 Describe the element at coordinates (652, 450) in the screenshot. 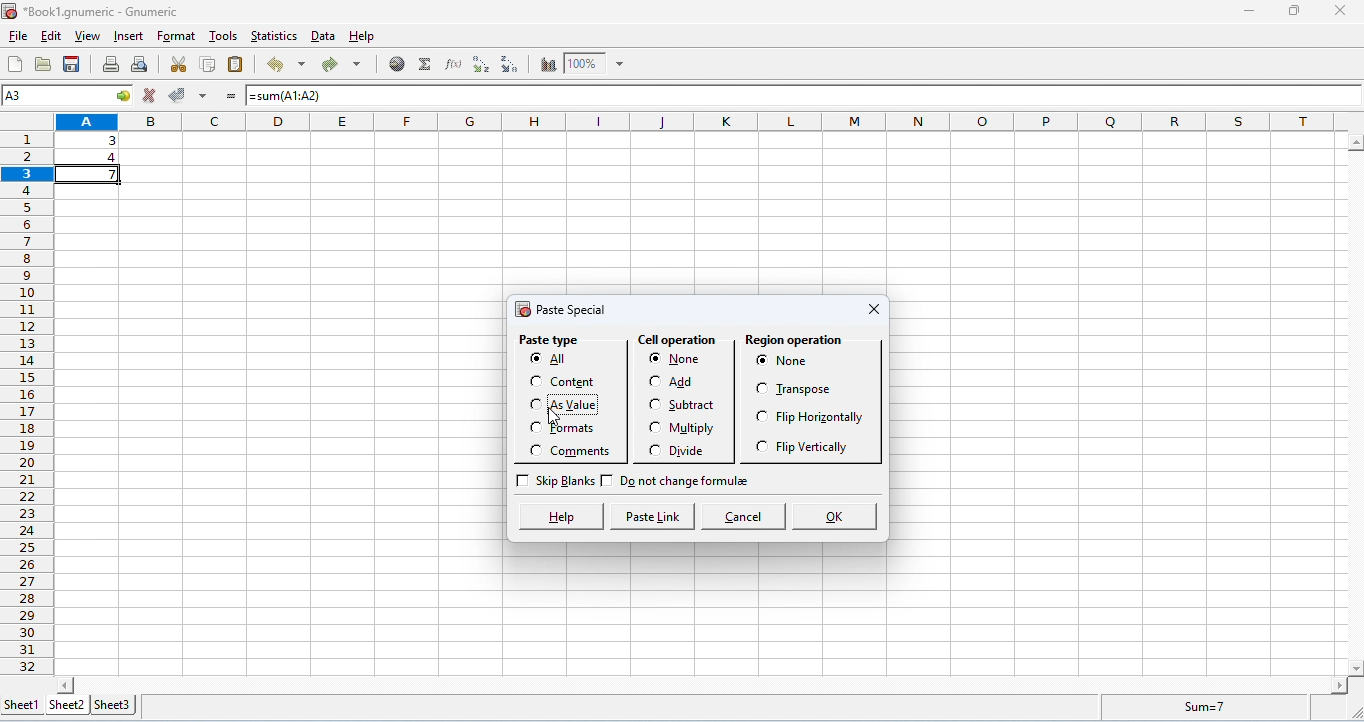

I see `Checkbox` at that location.